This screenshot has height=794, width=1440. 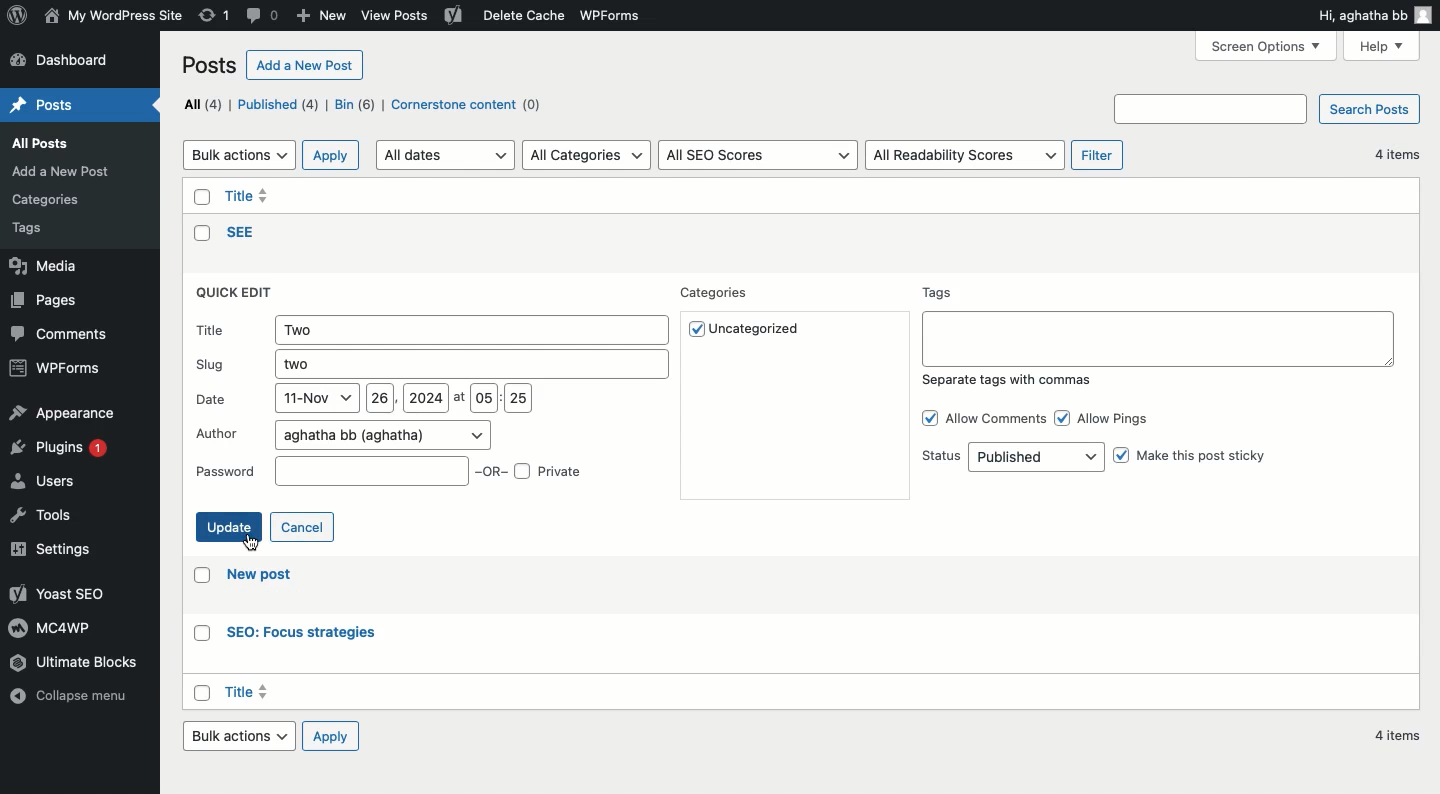 I want to click on Screen options, so click(x=1267, y=46).